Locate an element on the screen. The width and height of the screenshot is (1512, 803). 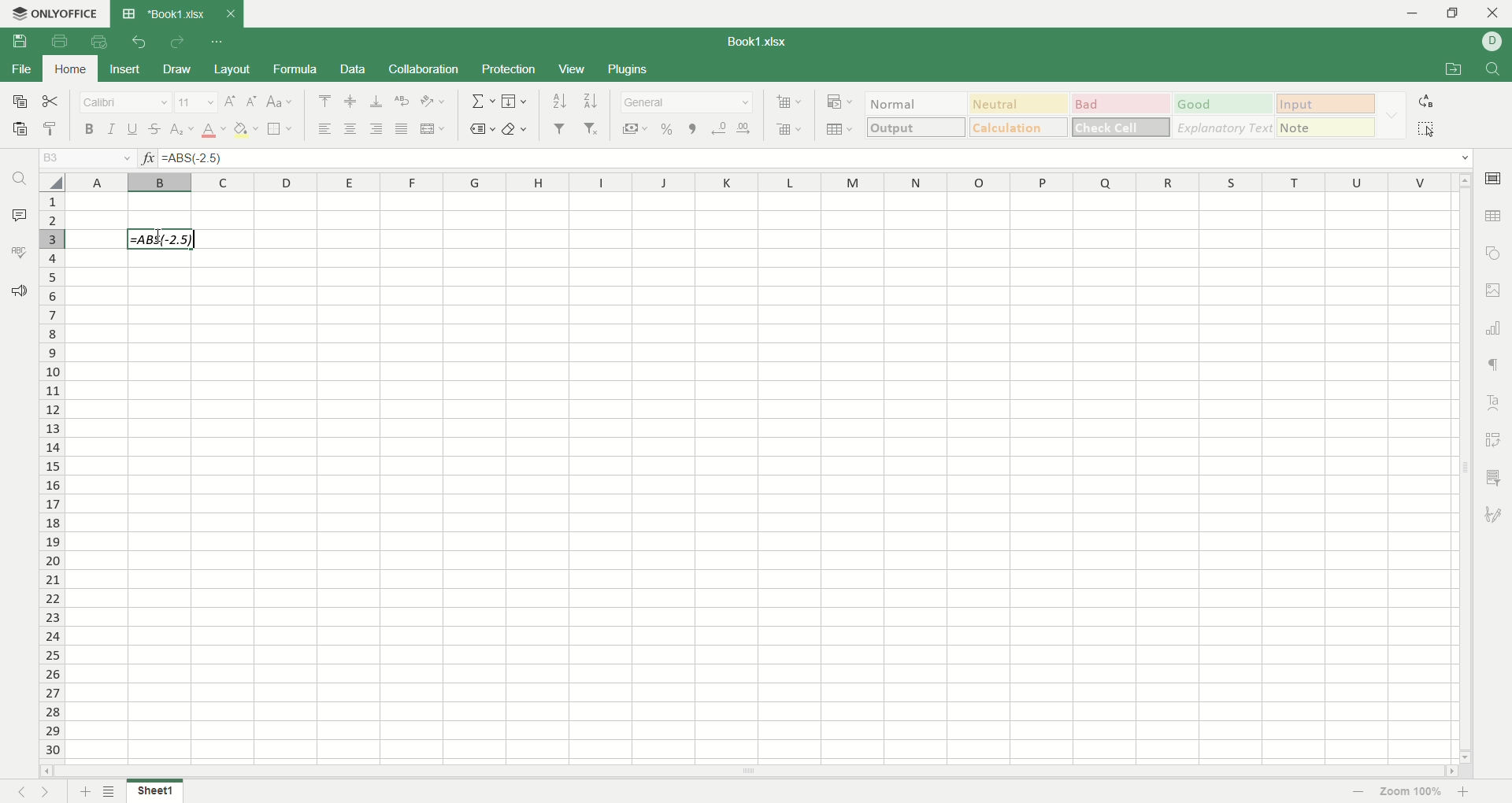
insert cell is located at coordinates (790, 103).